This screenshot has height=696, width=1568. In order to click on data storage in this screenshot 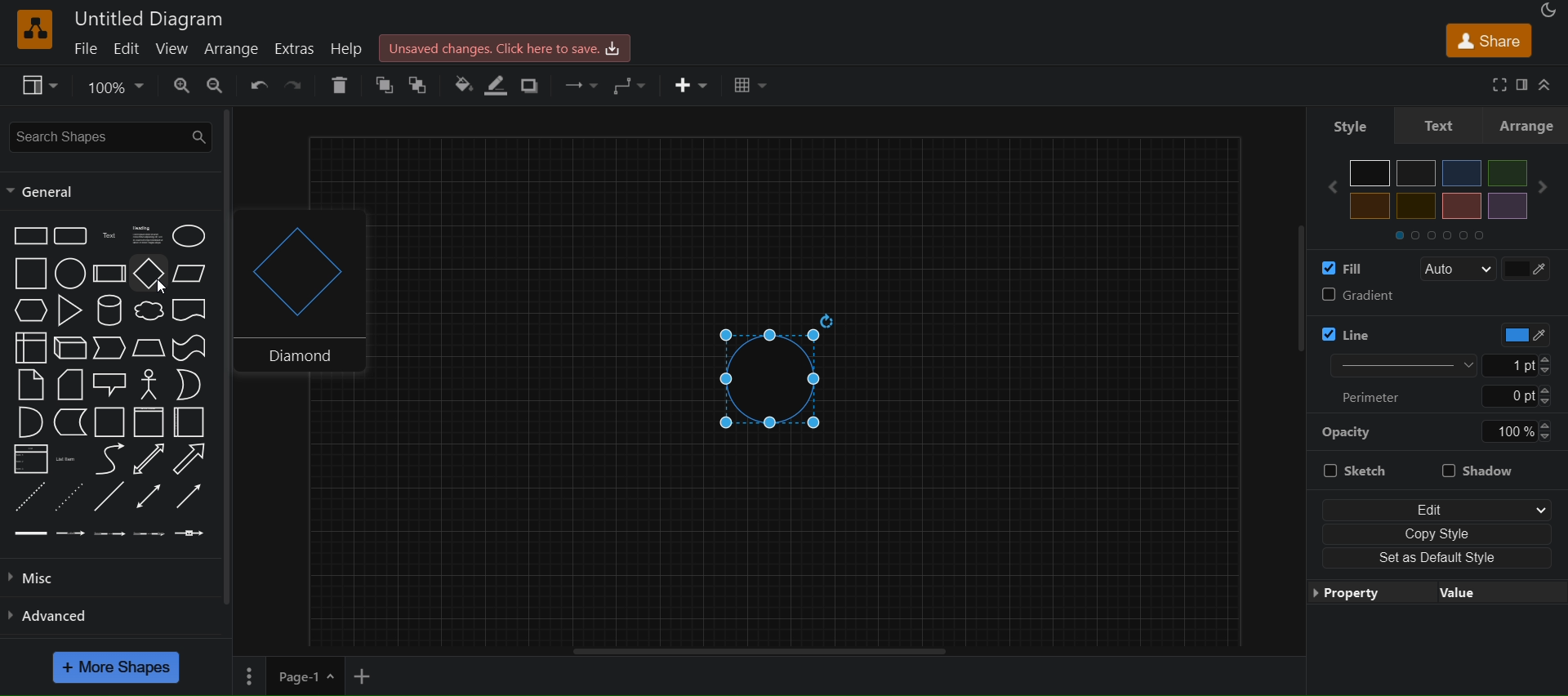, I will do `click(72, 422)`.